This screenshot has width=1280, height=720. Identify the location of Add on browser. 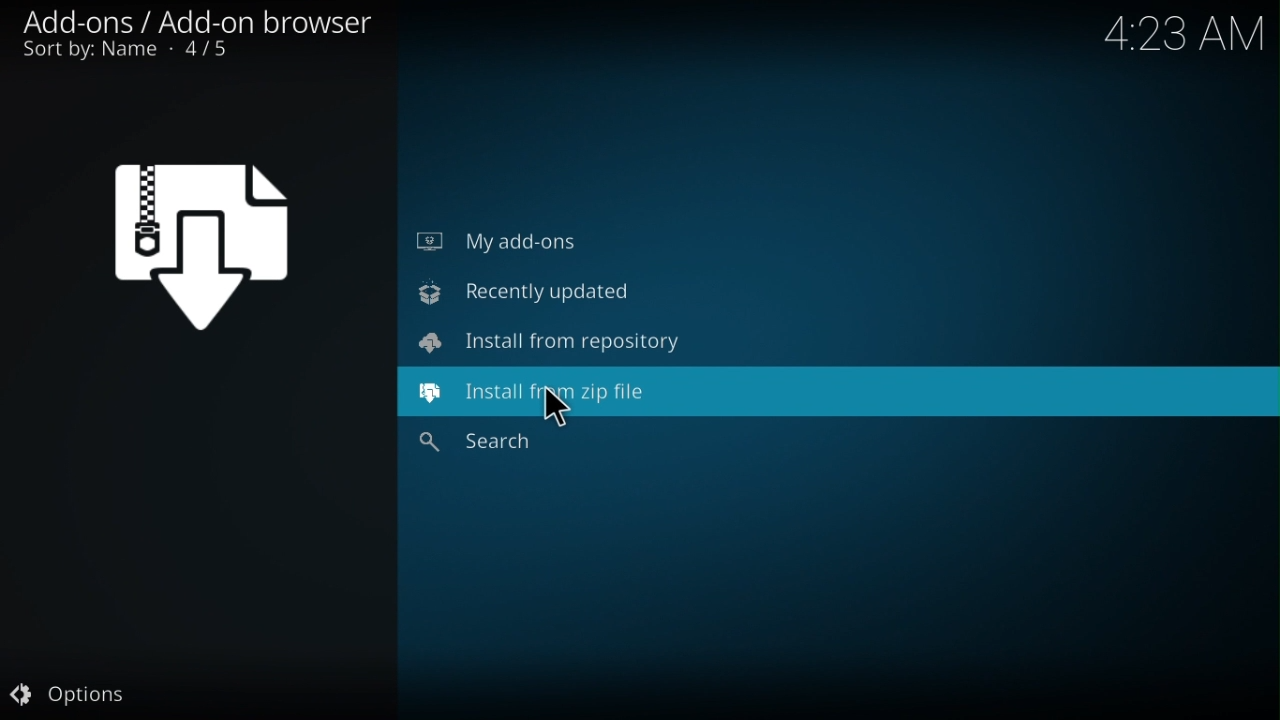
(200, 38).